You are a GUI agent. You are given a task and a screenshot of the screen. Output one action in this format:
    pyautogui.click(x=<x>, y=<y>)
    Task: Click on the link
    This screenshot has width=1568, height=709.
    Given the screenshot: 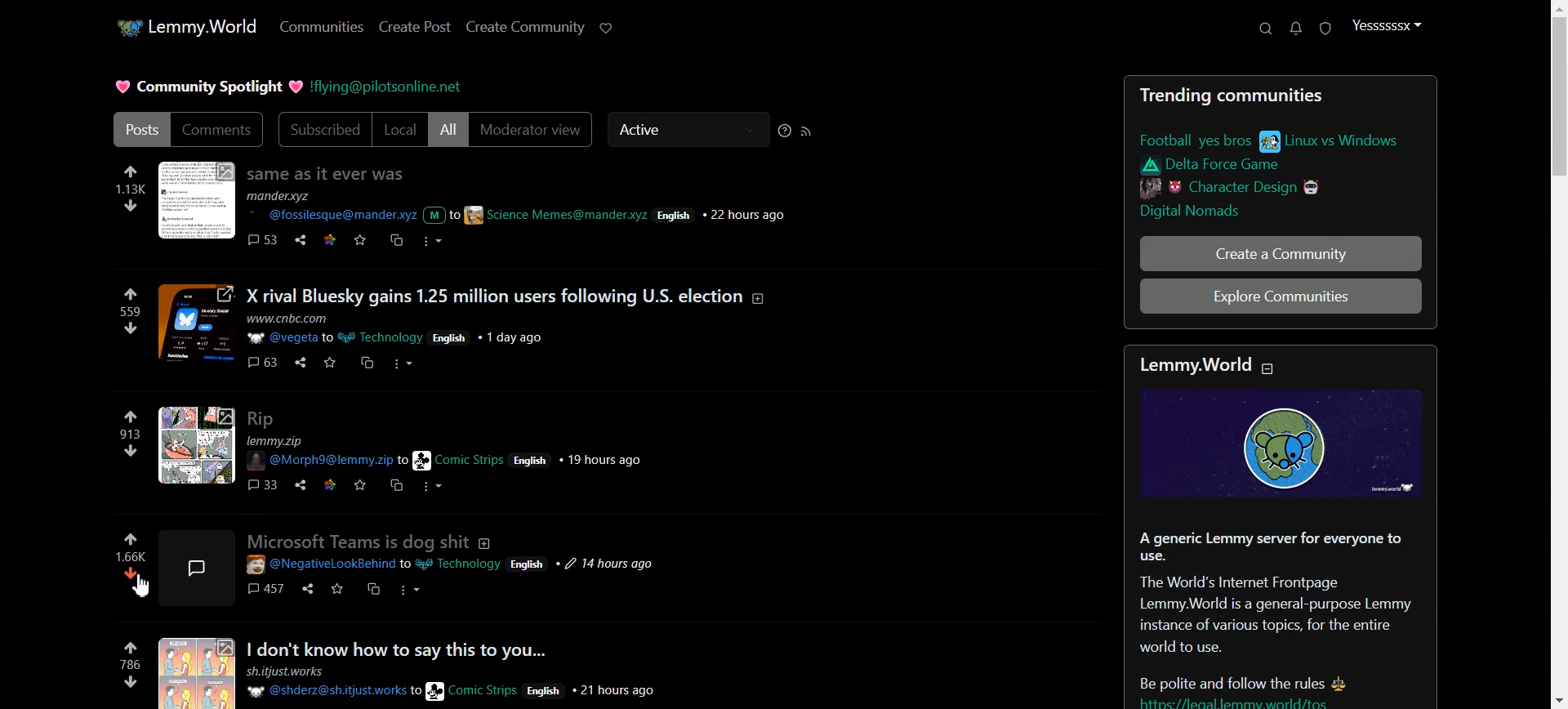 What is the action you would take?
    pyautogui.click(x=1199, y=212)
    